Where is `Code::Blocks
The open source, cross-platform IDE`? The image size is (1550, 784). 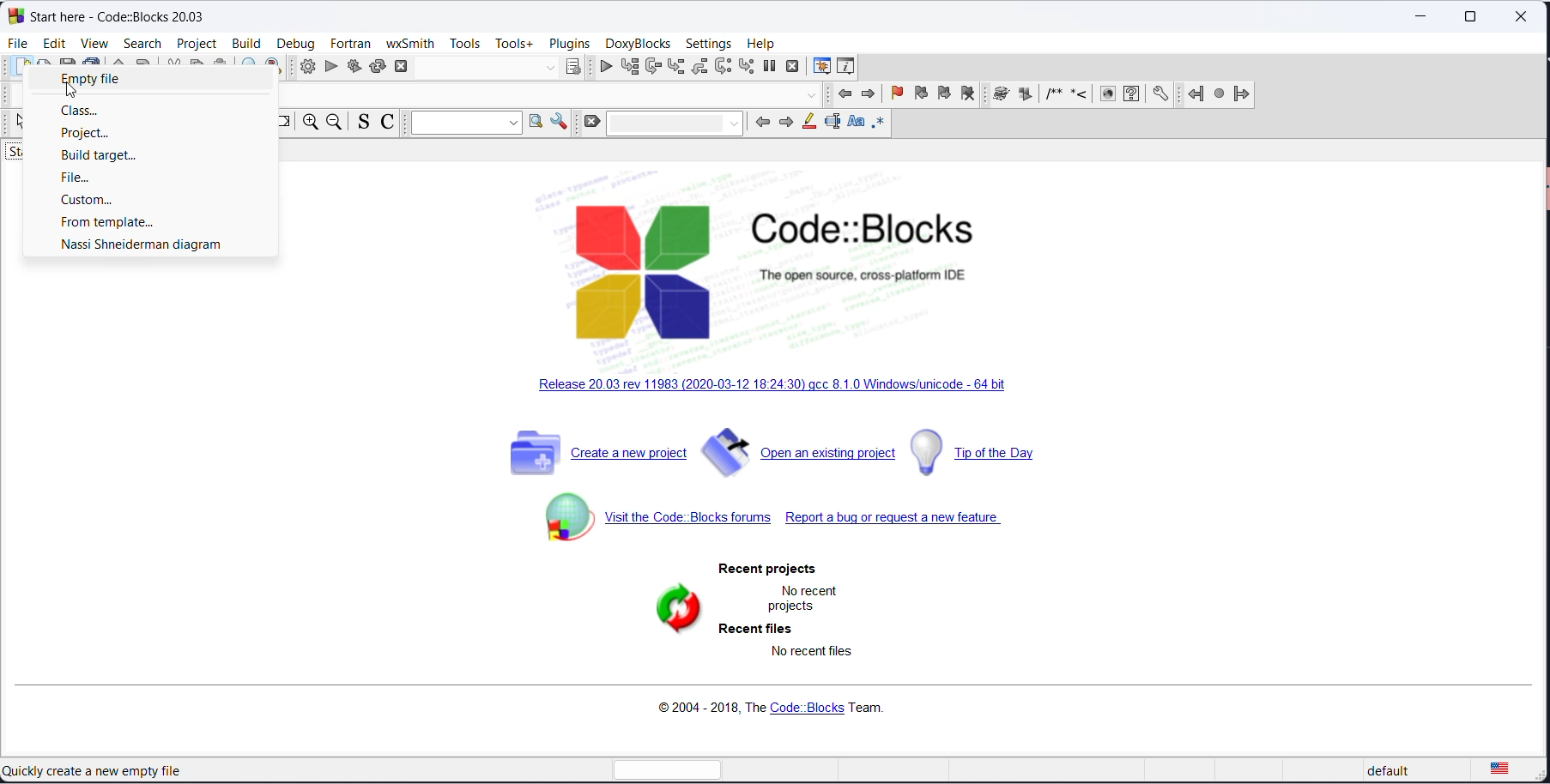
Code::Blocks
The open source, cross-platform IDE is located at coordinates (771, 274).